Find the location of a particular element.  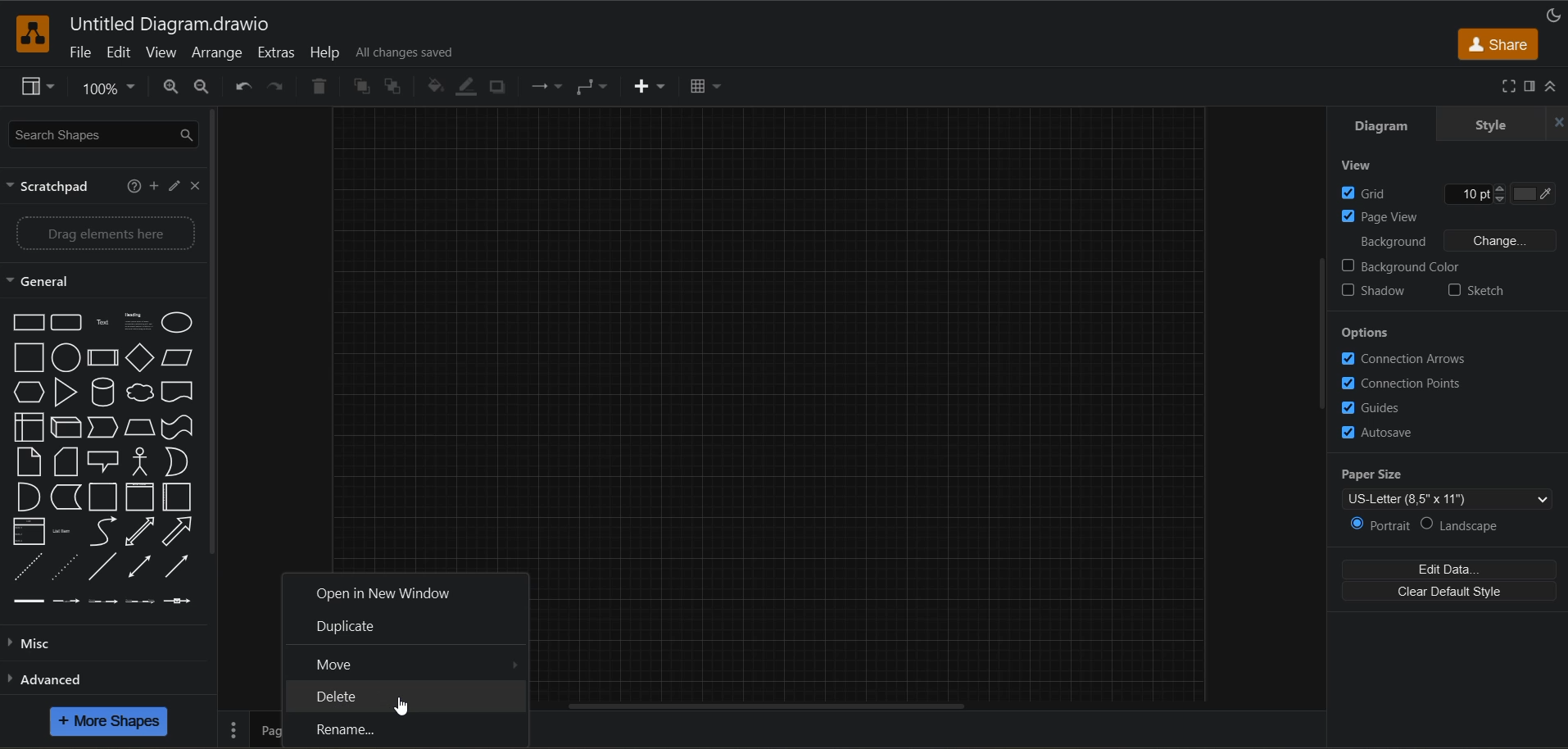

delete is located at coordinates (347, 695).